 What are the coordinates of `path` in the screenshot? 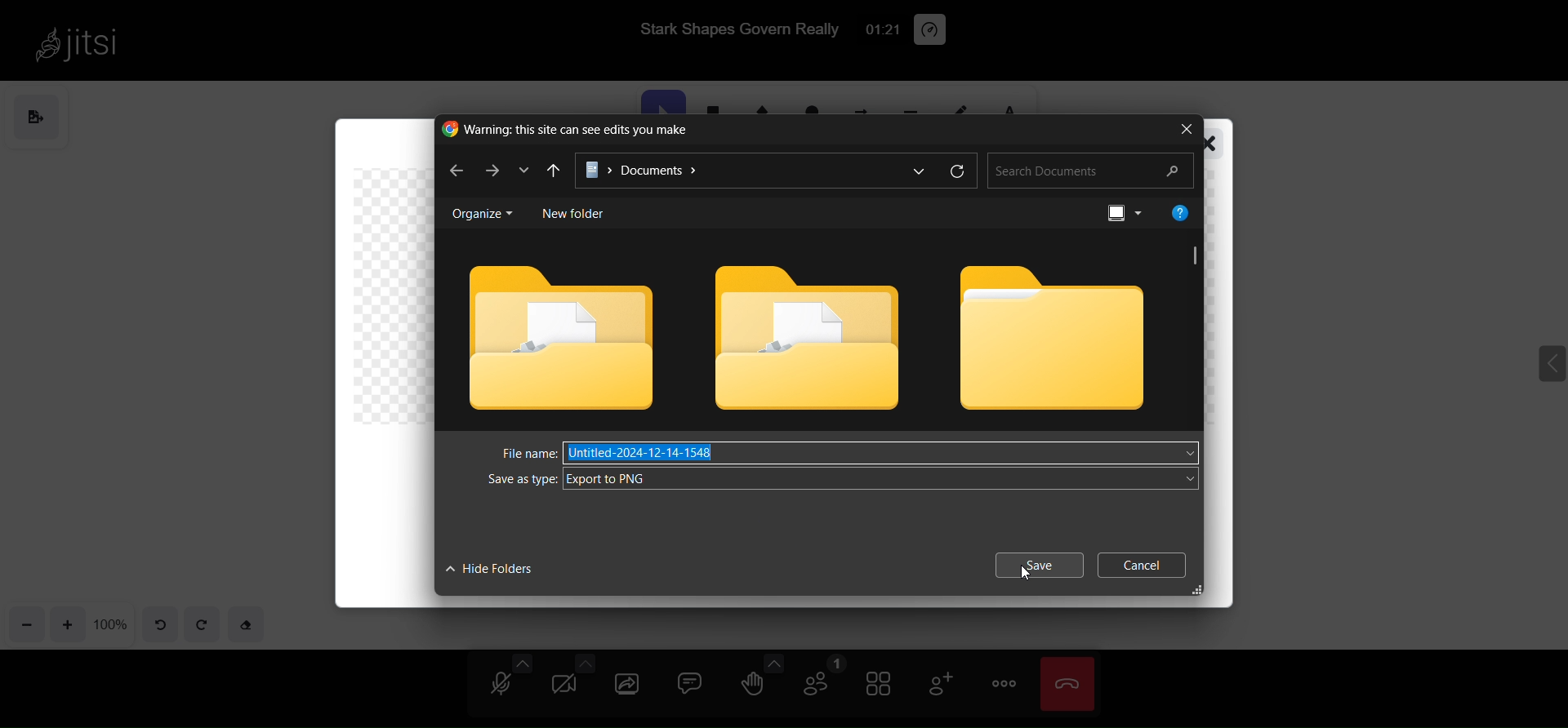 It's located at (725, 173).